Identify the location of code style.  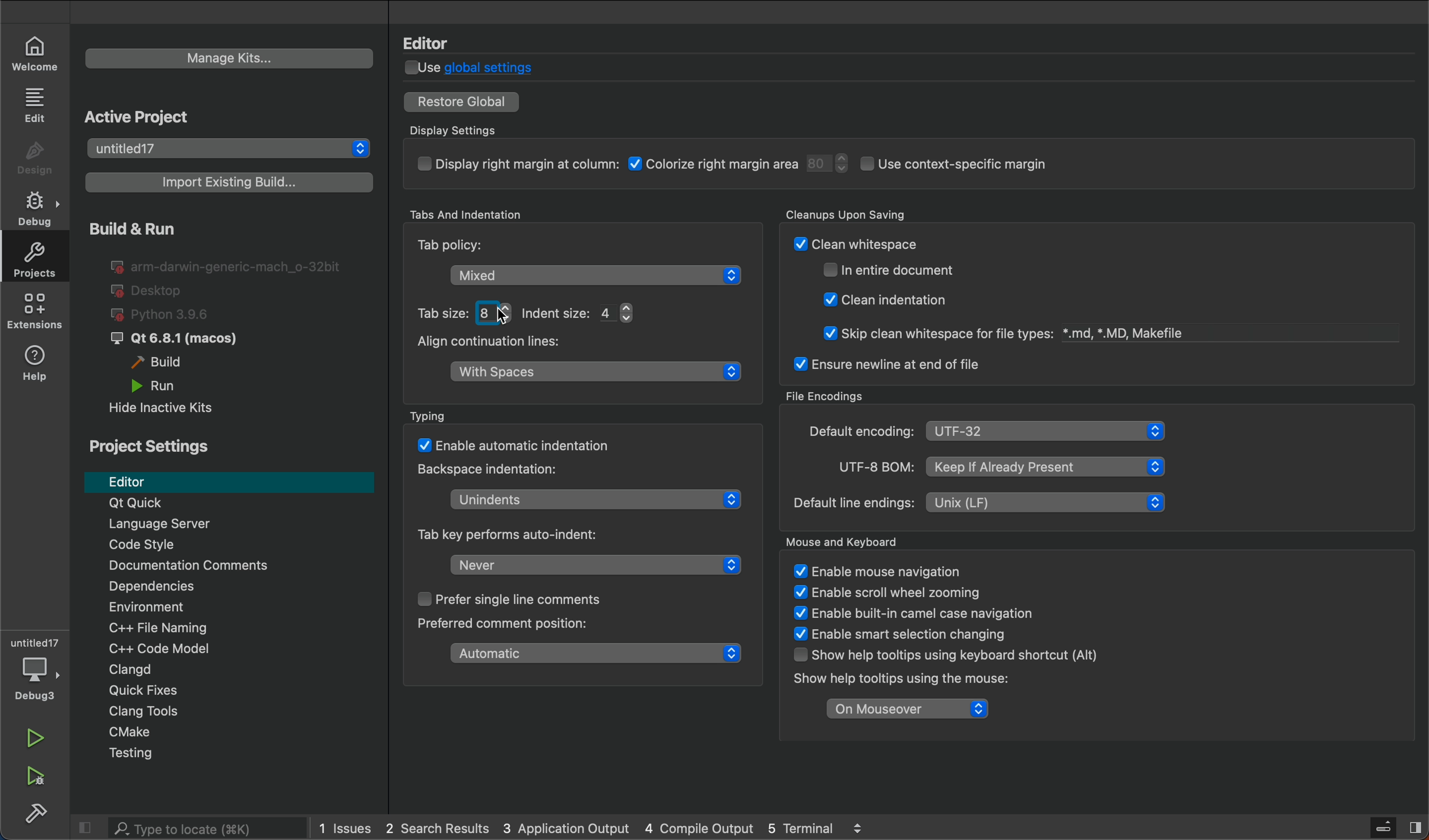
(244, 546).